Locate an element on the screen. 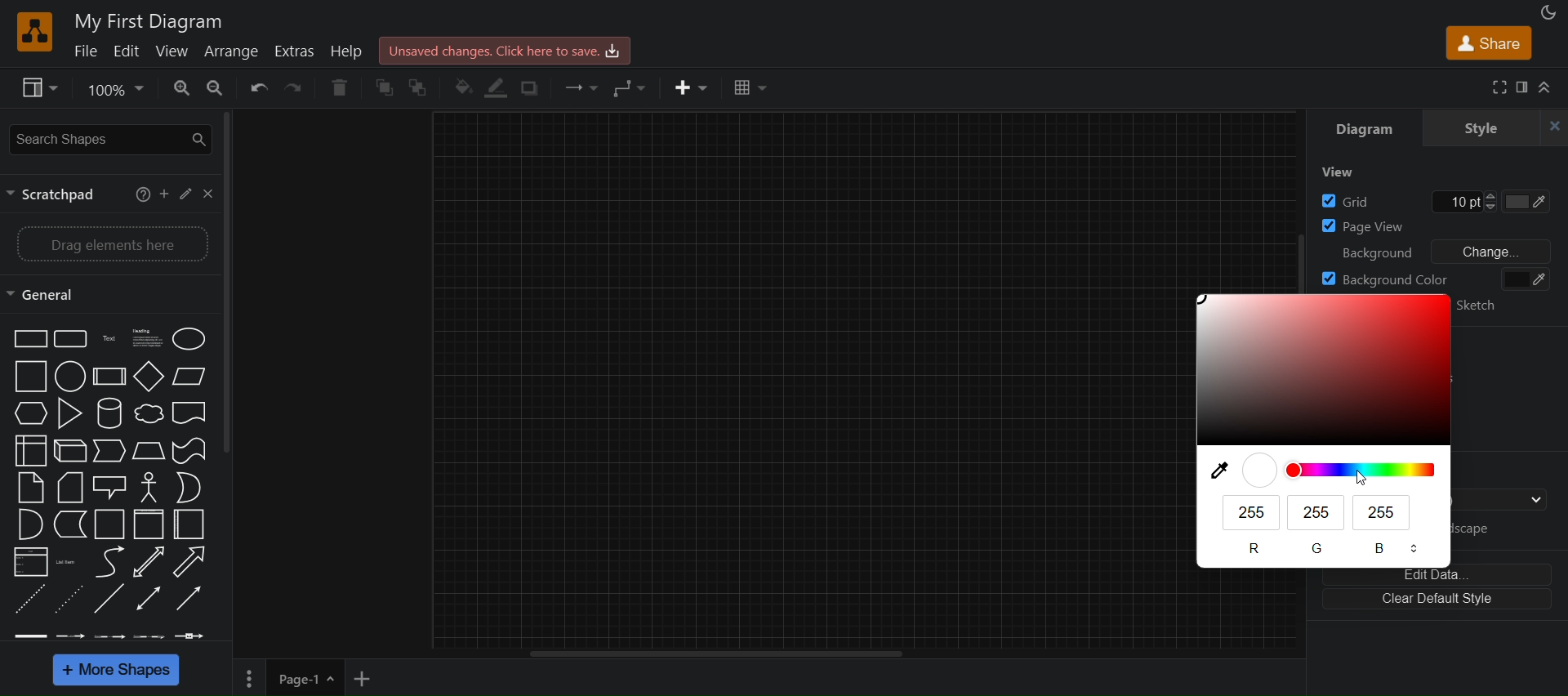 The width and height of the screenshot is (1568, 696). drop down is located at coordinates (1542, 501).